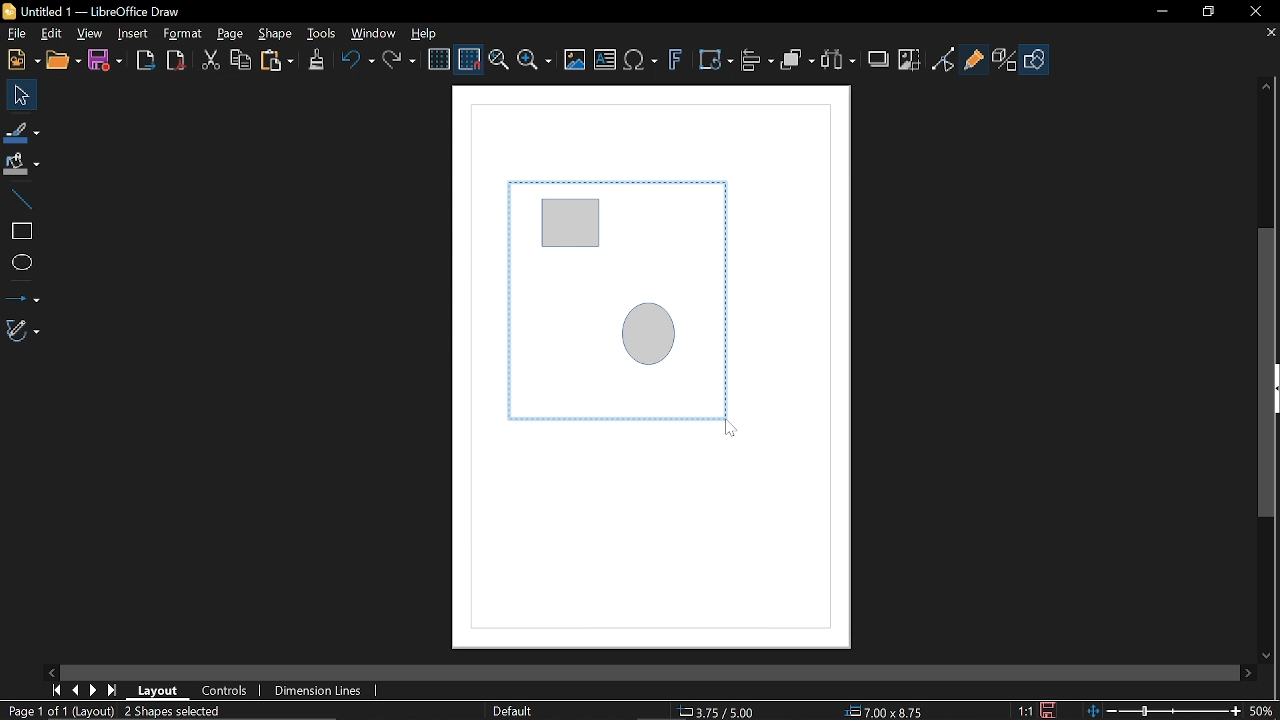 This screenshot has width=1280, height=720. I want to click on Zoom and pan, so click(498, 60).